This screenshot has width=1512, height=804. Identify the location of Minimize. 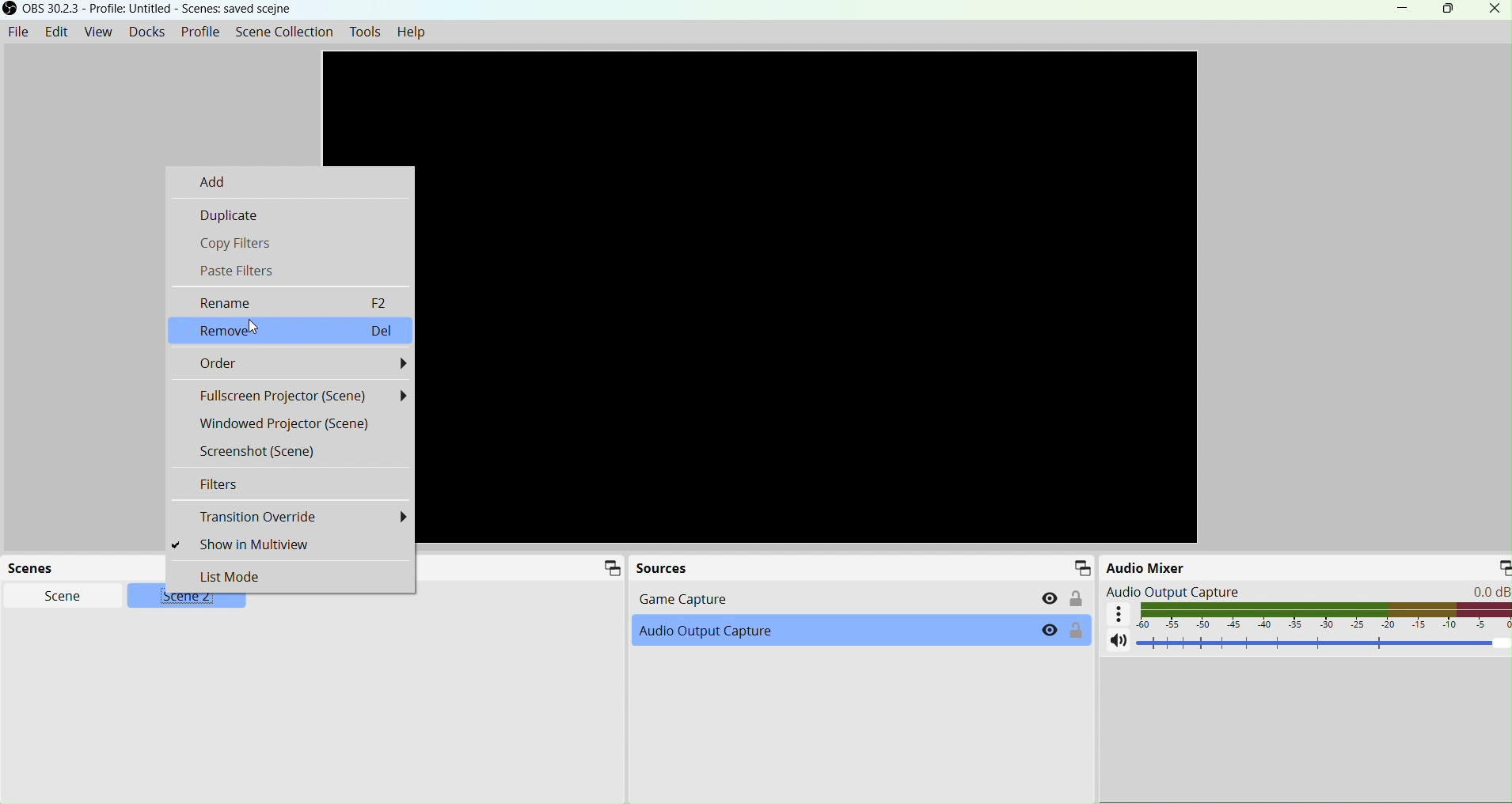
(1084, 568).